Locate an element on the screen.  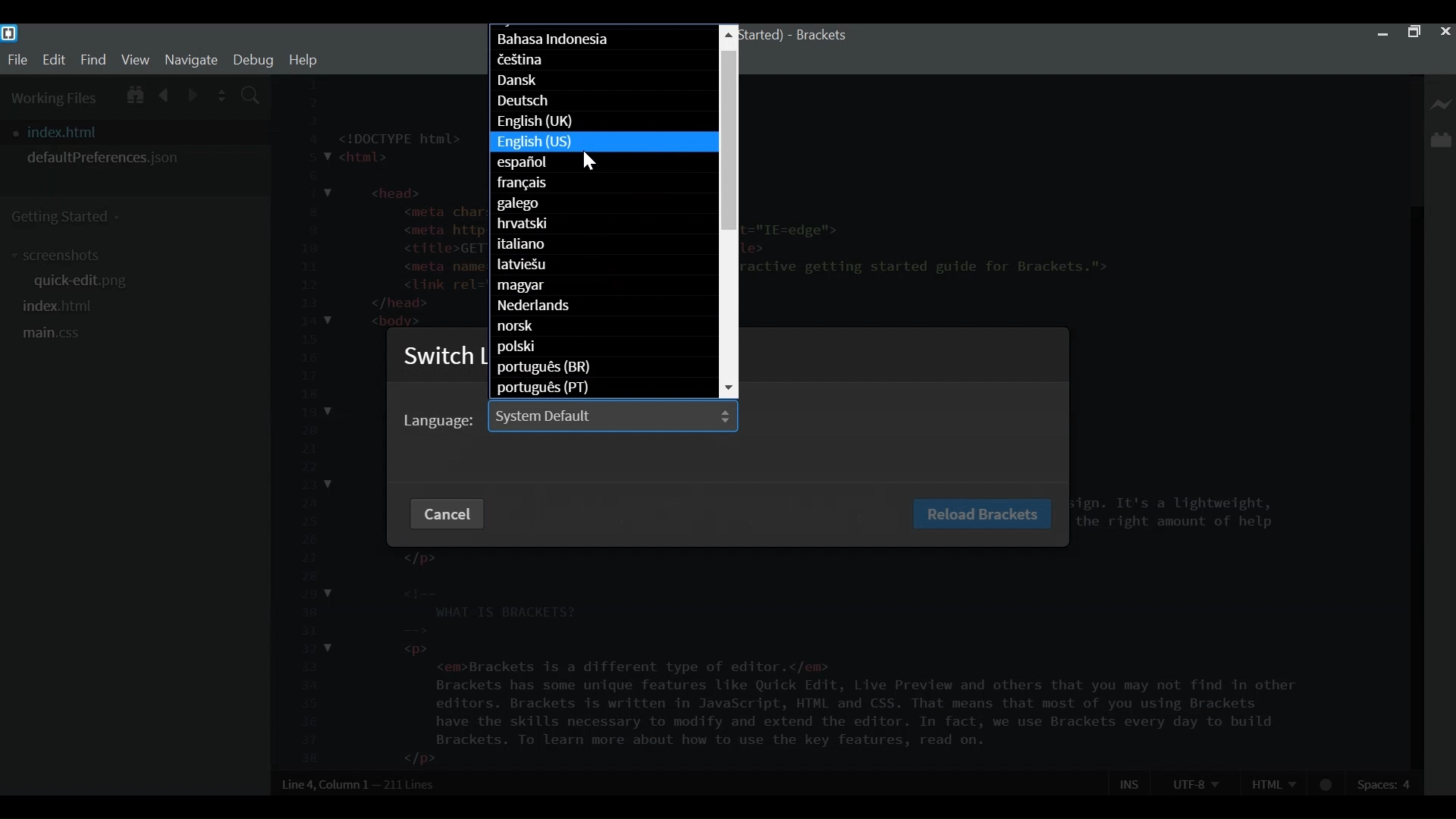
Manage Extensions is located at coordinates (1441, 140).